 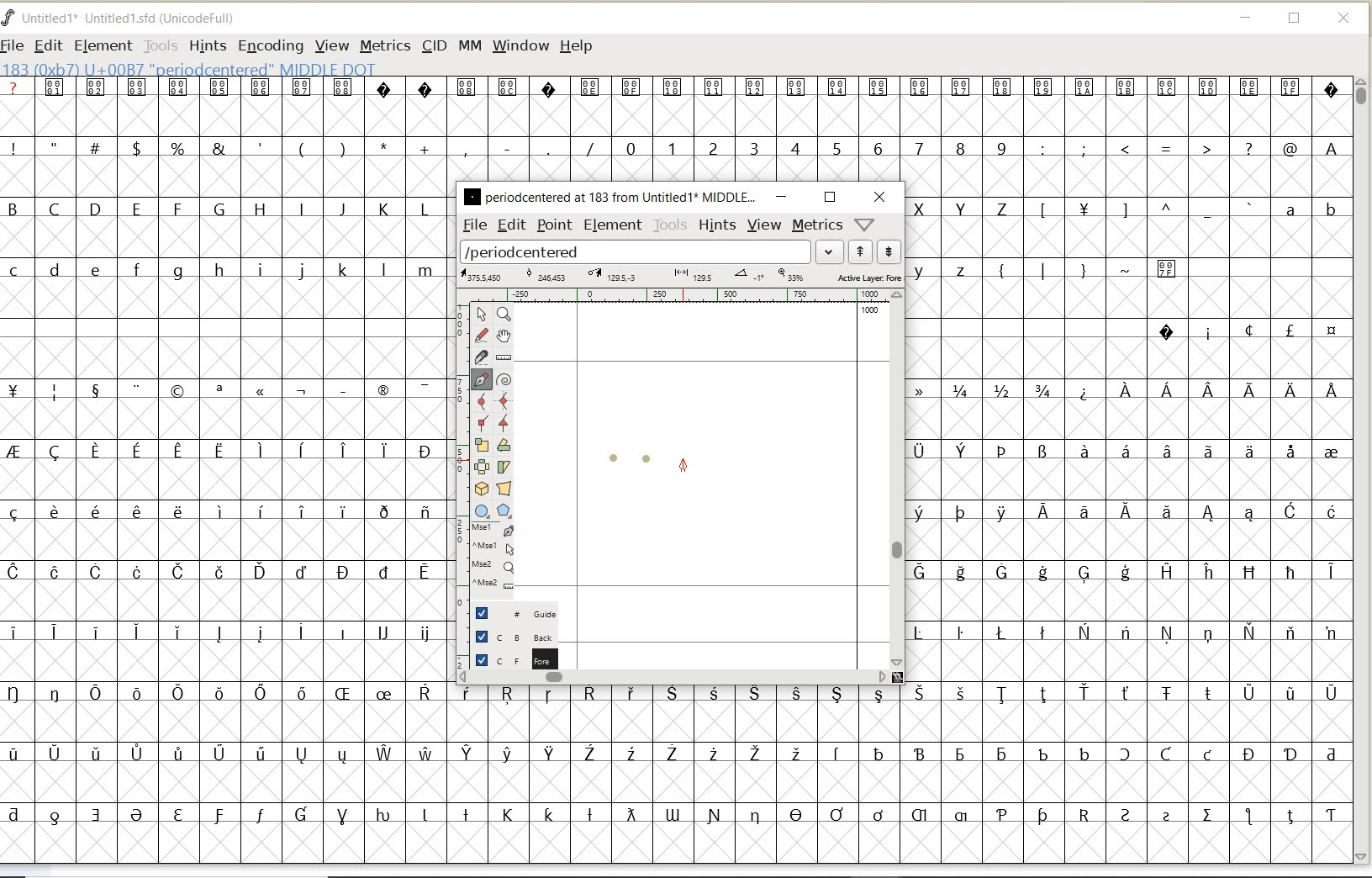 What do you see at coordinates (14, 45) in the screenshot?
I see `FILE` at bounding box center [14, 45].